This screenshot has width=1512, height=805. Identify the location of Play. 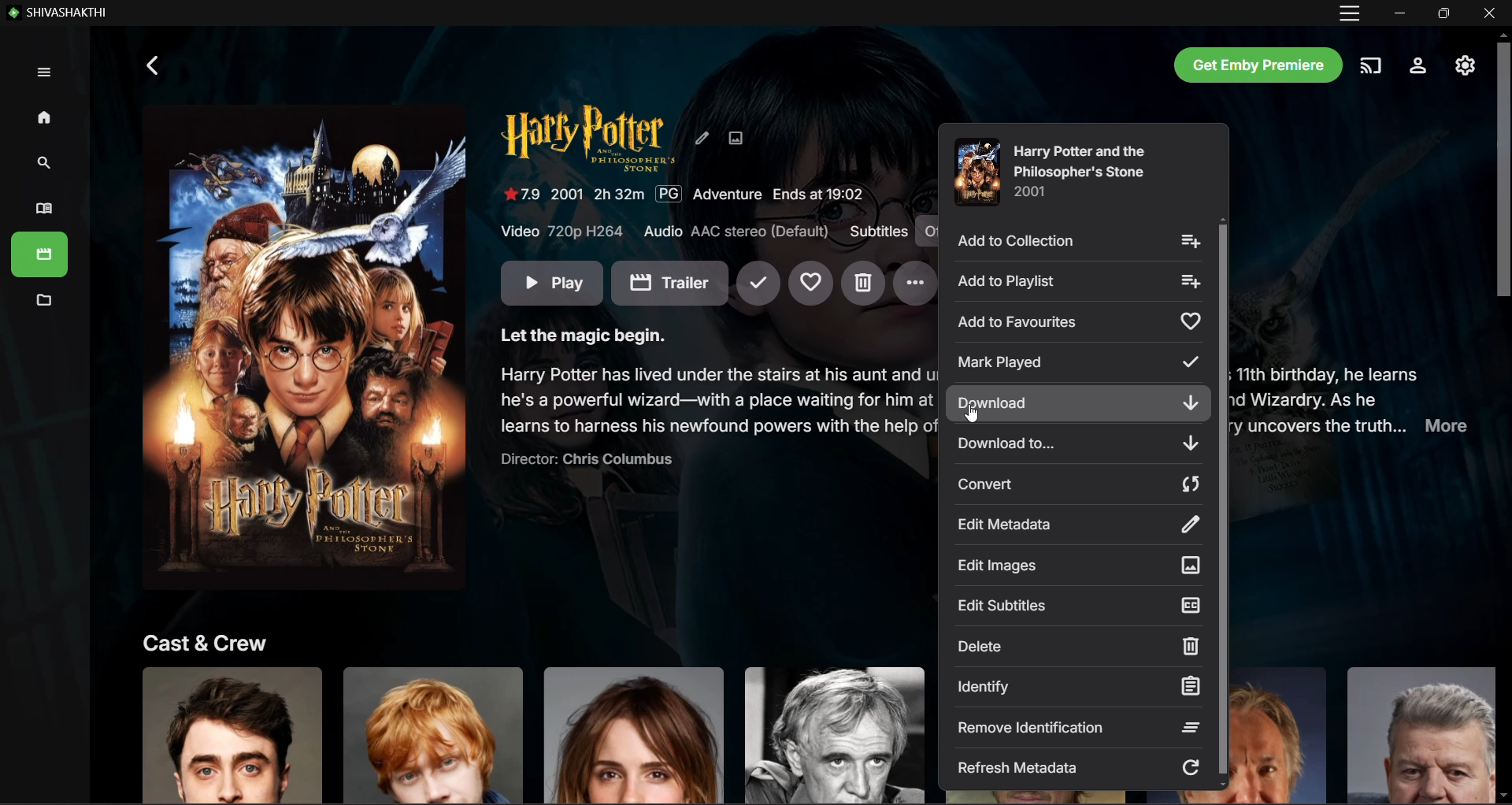
(552, 283).